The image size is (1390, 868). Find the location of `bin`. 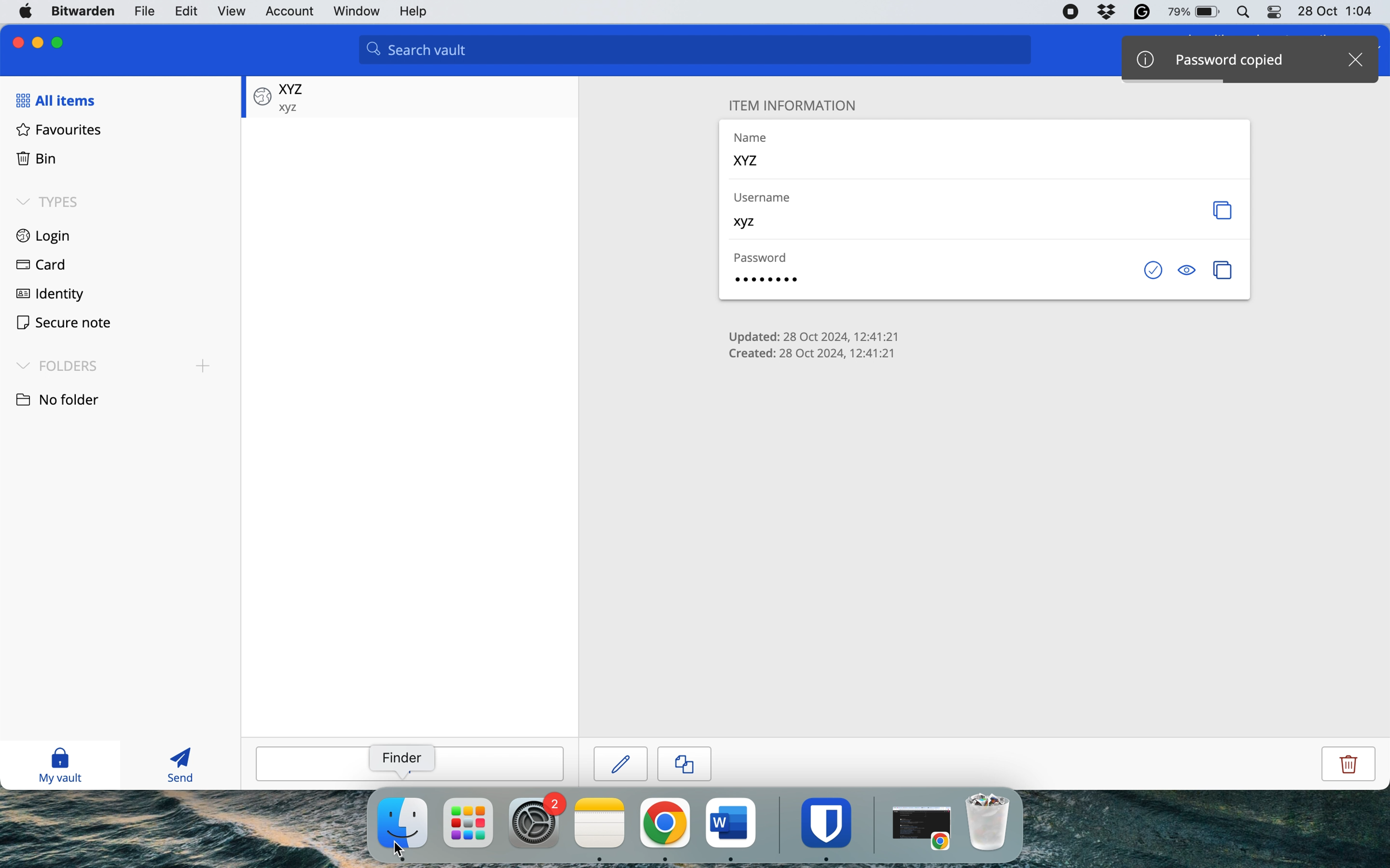

bin is located at coordinates (36, 157).